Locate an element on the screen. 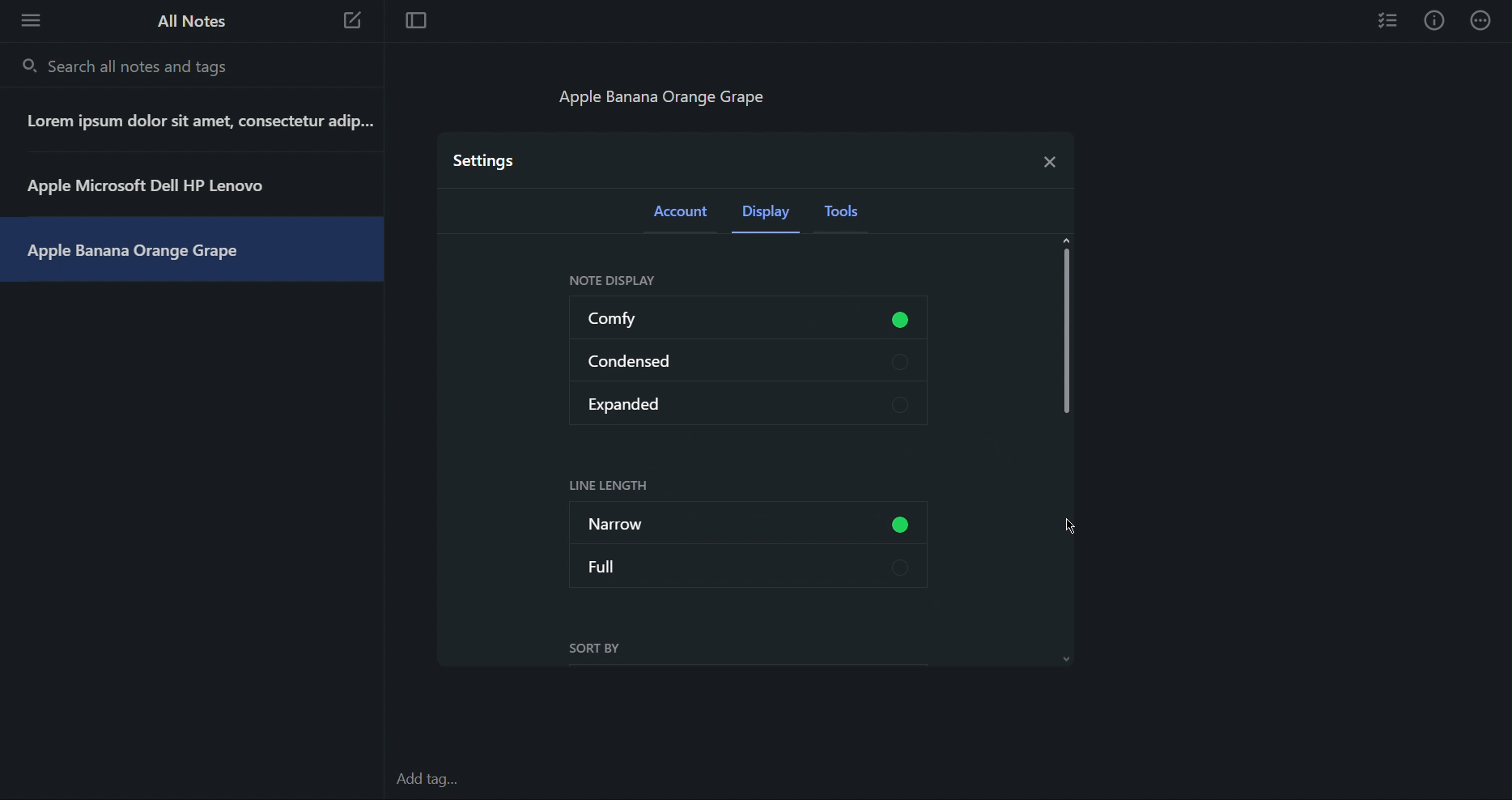 The height and width of the screenshot is (800, 1512). Lorem ipsum dolor sit amet, consectetur adip... is located at coordinates (207, 126).